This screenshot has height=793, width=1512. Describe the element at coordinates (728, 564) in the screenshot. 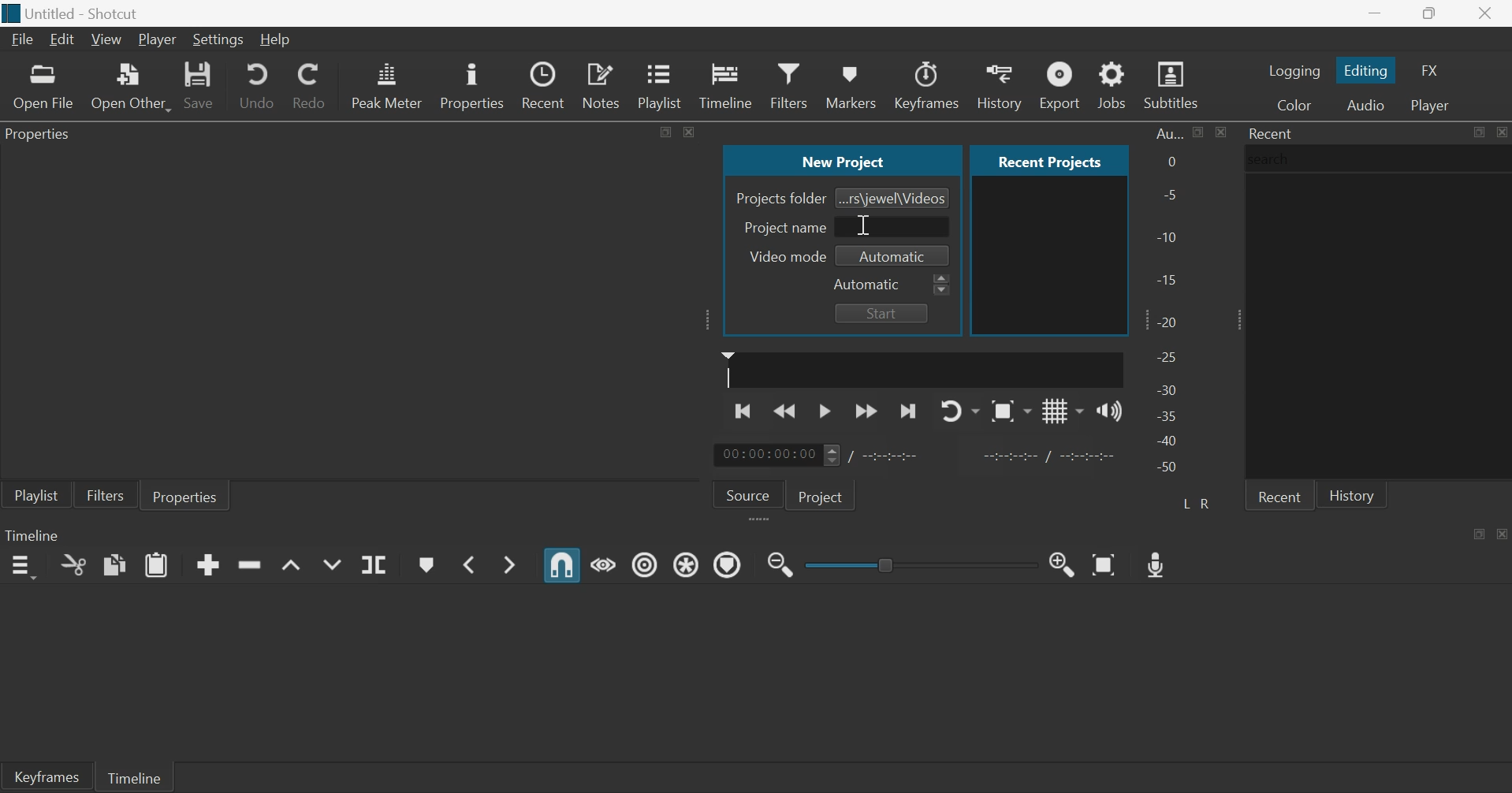

I see `Ripple markers` at that location.